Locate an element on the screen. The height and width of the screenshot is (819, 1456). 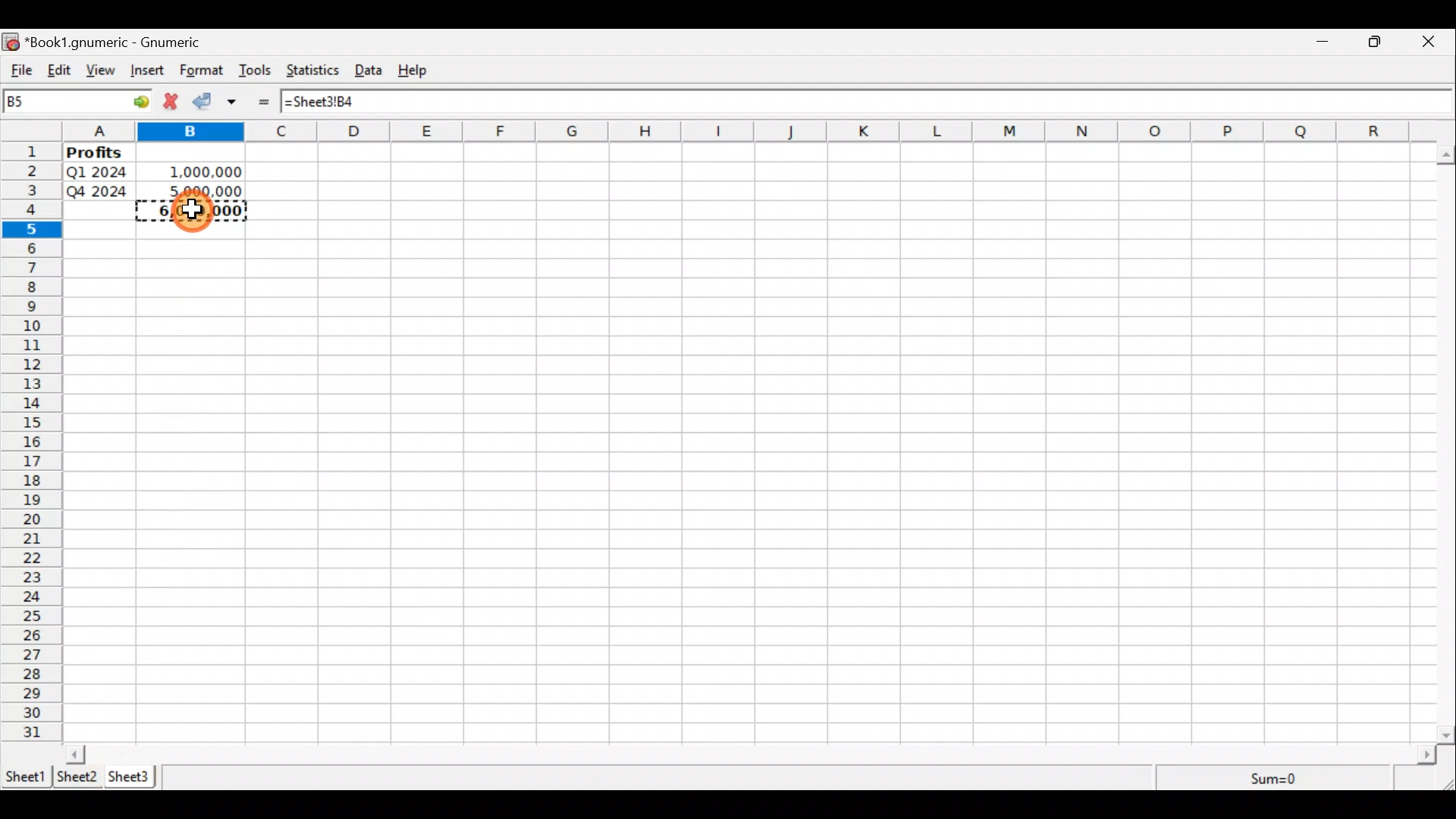
Formula bar is located at coordinates (861, 100).